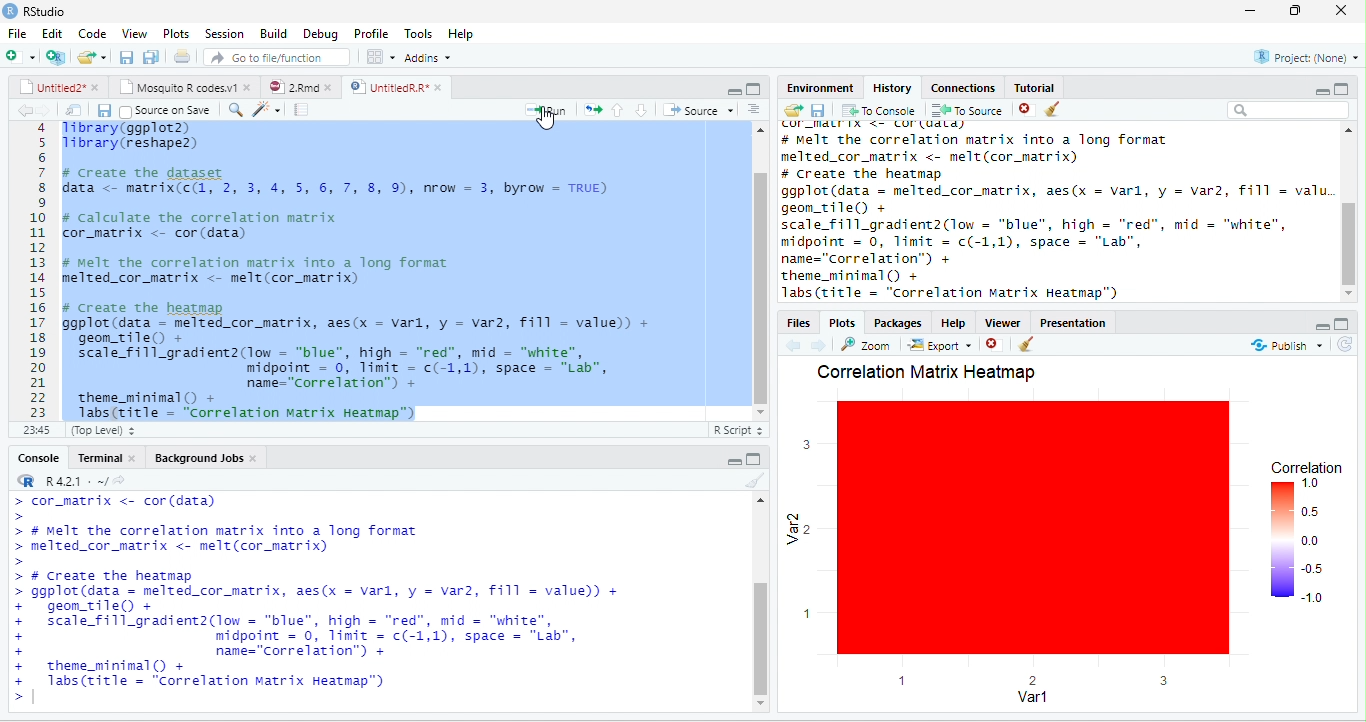  Describe the element at coordinates (869, 345) in the screenshot. I see `zoom` at that location.